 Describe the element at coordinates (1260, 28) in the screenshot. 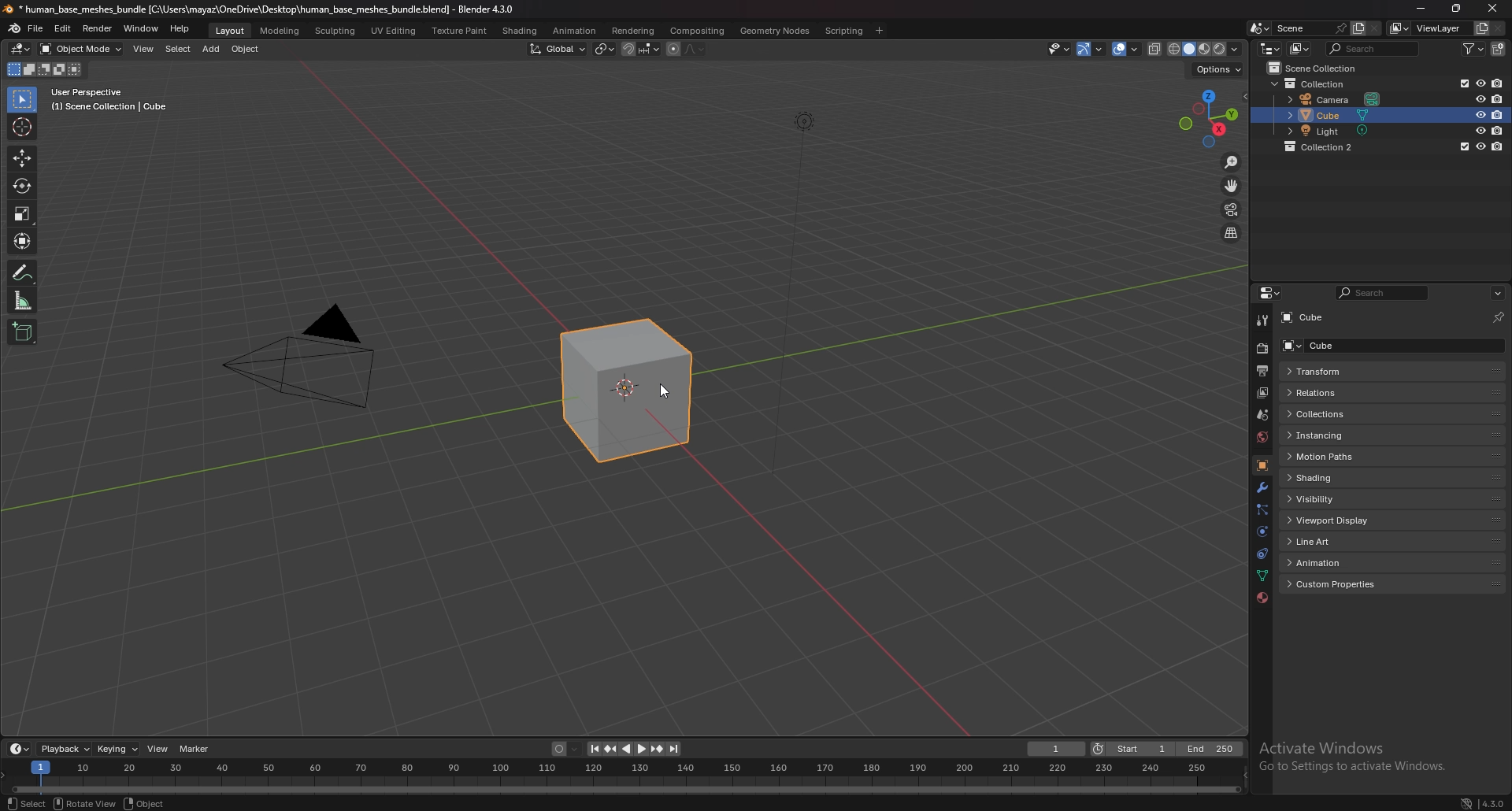

I see `browse scene` at that location.